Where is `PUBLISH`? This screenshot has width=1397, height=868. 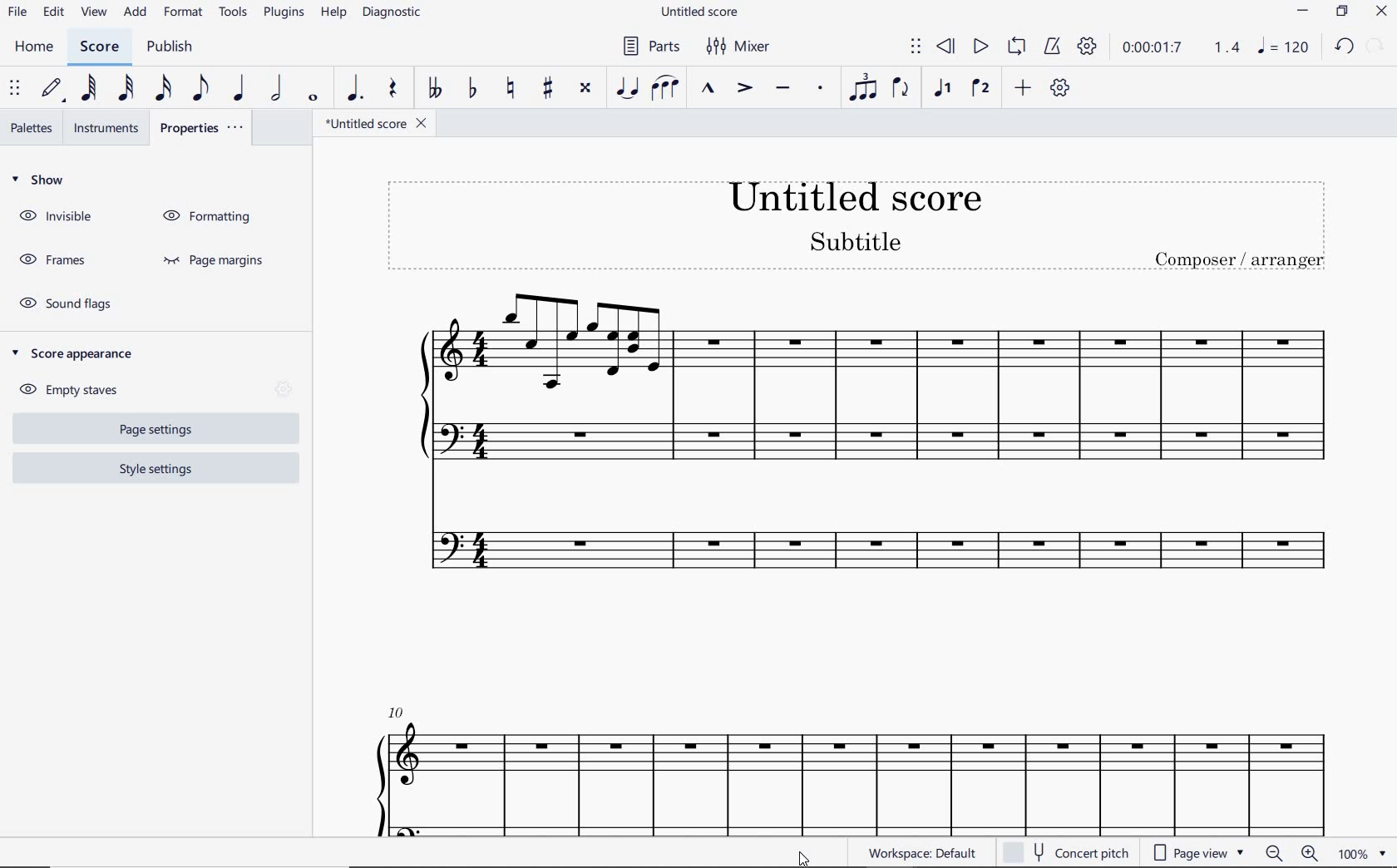
PUBLISH is located at coordinates (170, 47).